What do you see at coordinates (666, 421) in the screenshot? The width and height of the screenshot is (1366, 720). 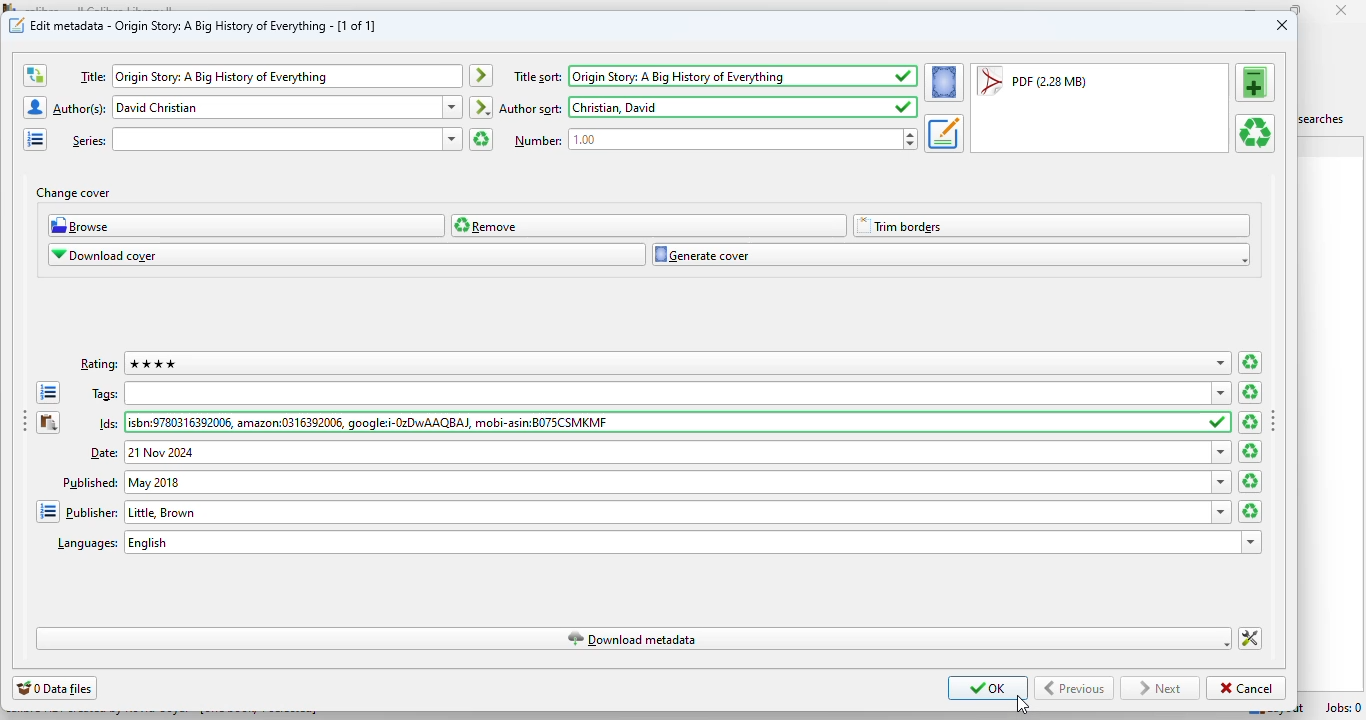 I see `ids:` at bounding box center [666, 421].